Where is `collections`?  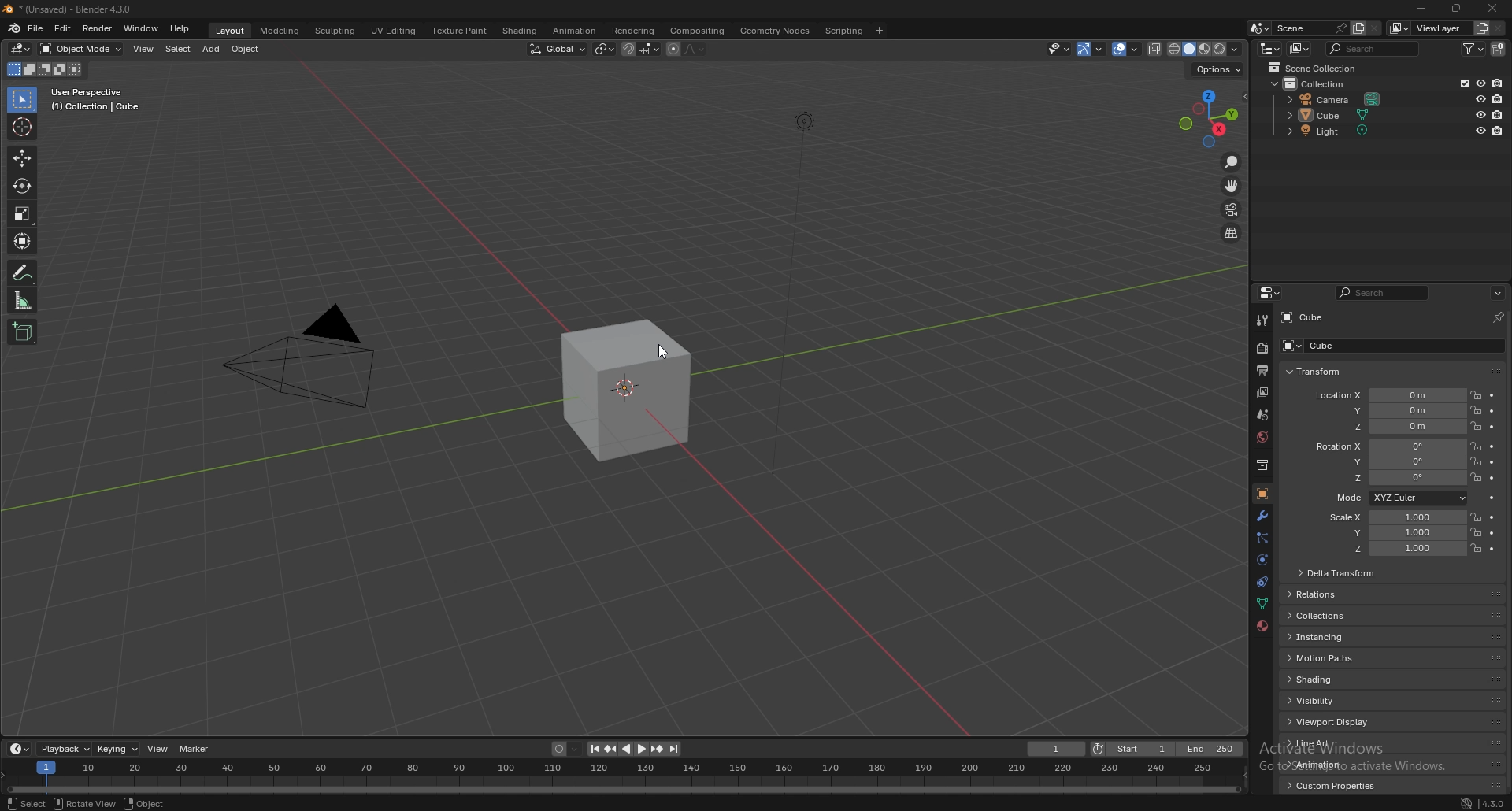
collections is located at coordinates (1325, 617).